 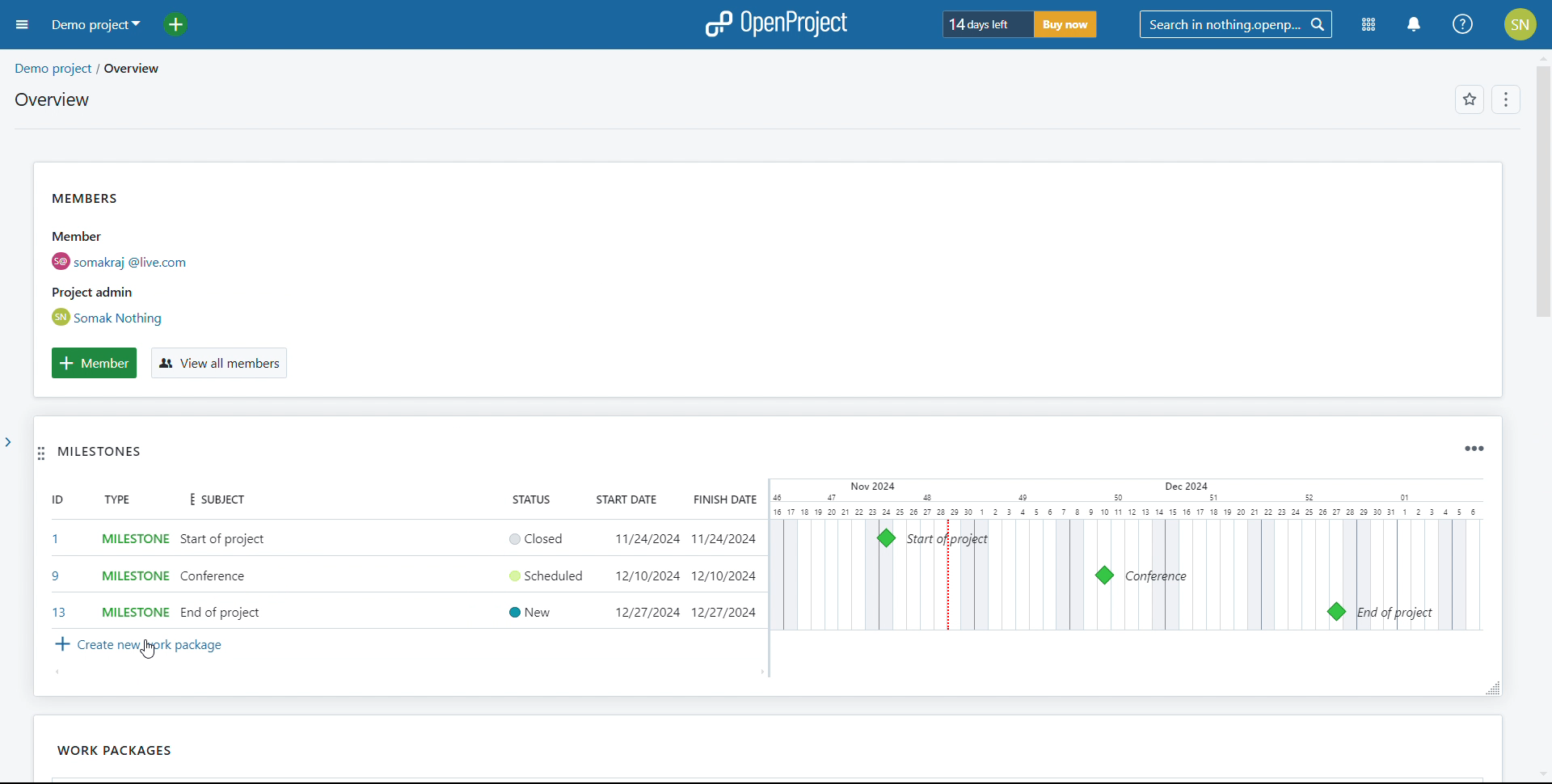 What do you see at coordinates (1472, 449) in the screenshot?
I see `widget options` at bounding box center [1472, 449].